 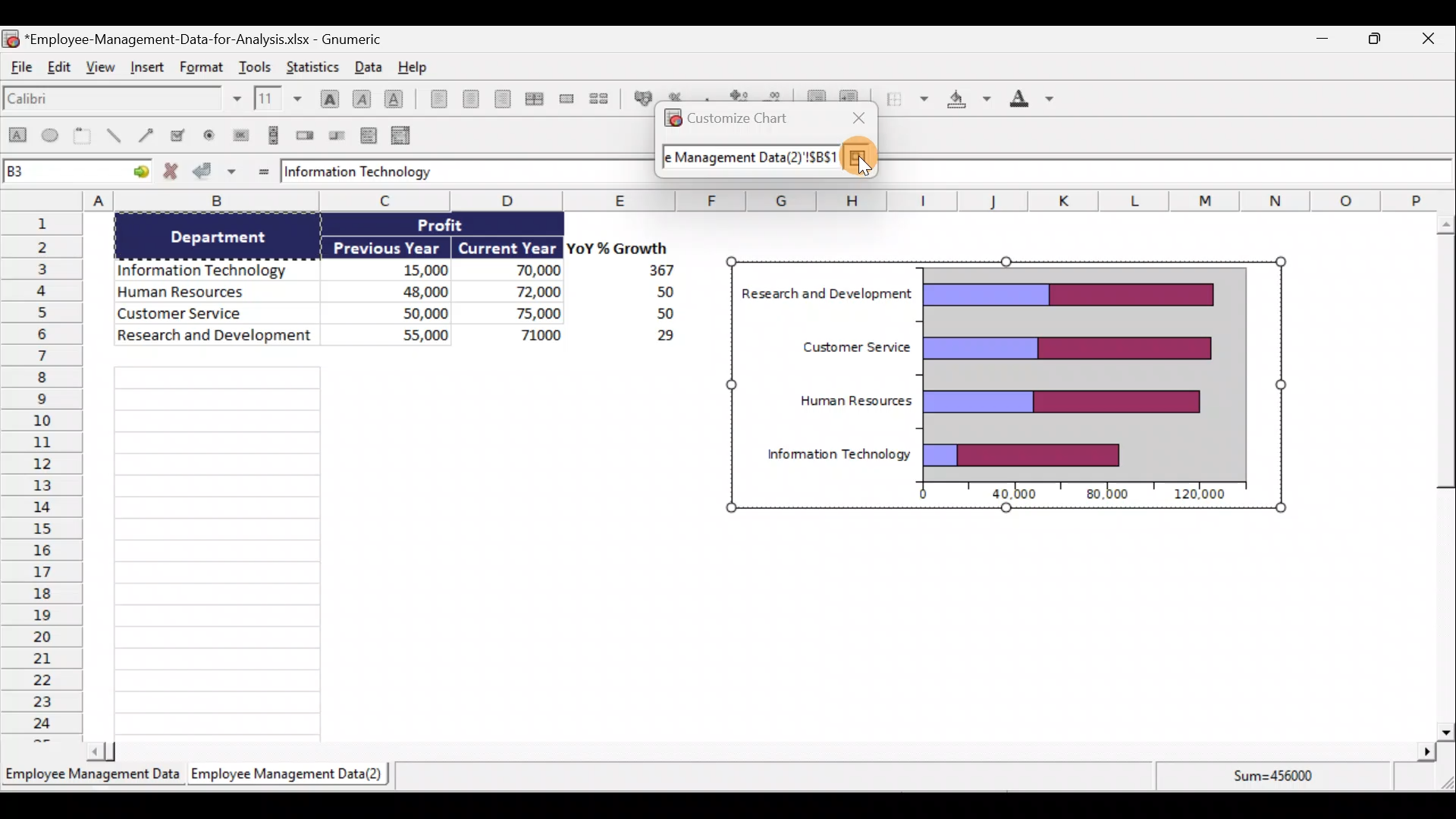 I want to click on Scroll bar, so click(x=761, y=751).